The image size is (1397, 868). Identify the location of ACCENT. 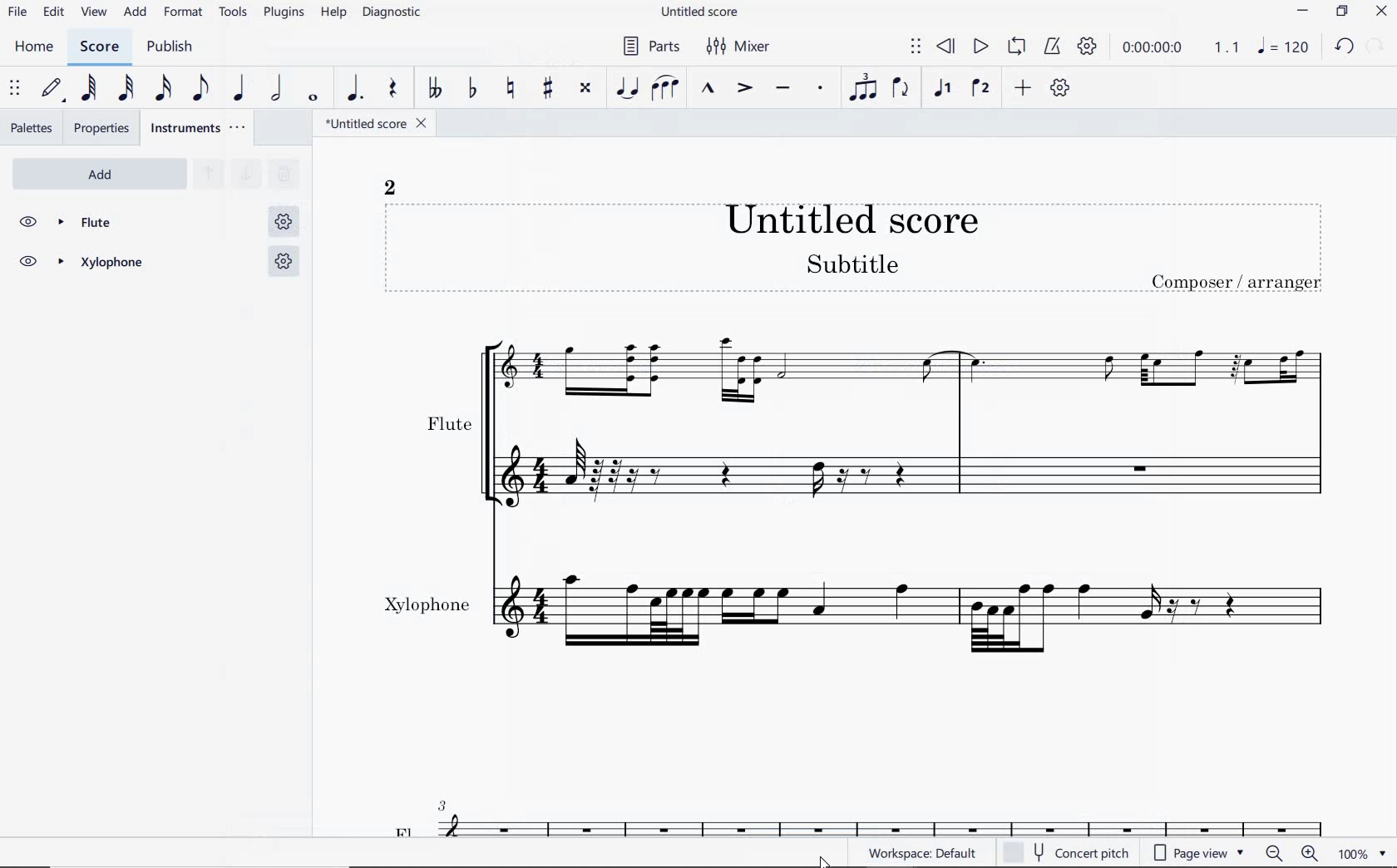
(743, 86).